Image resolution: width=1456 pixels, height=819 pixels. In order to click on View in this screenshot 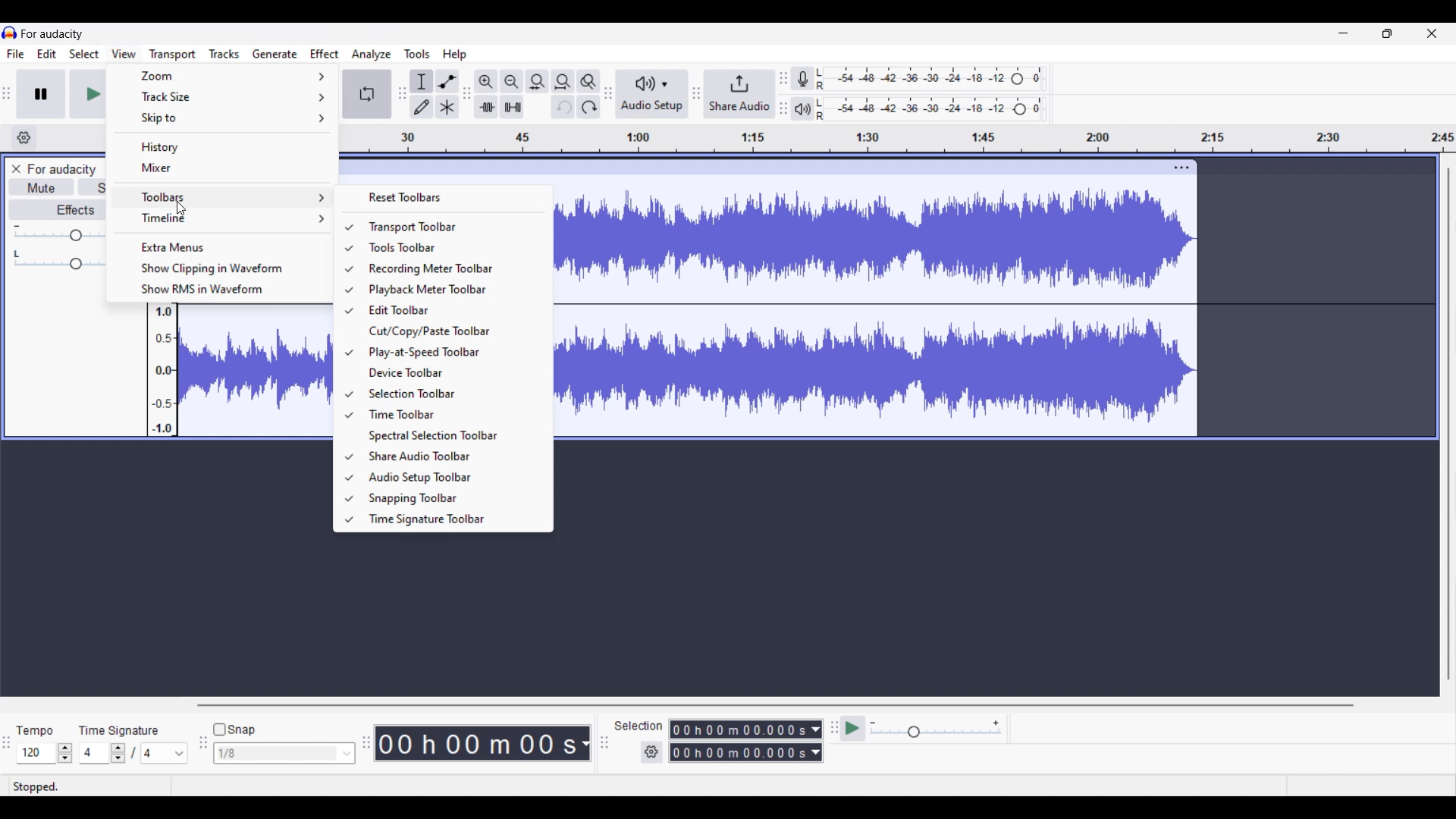, I will do `click(124, 54)`.